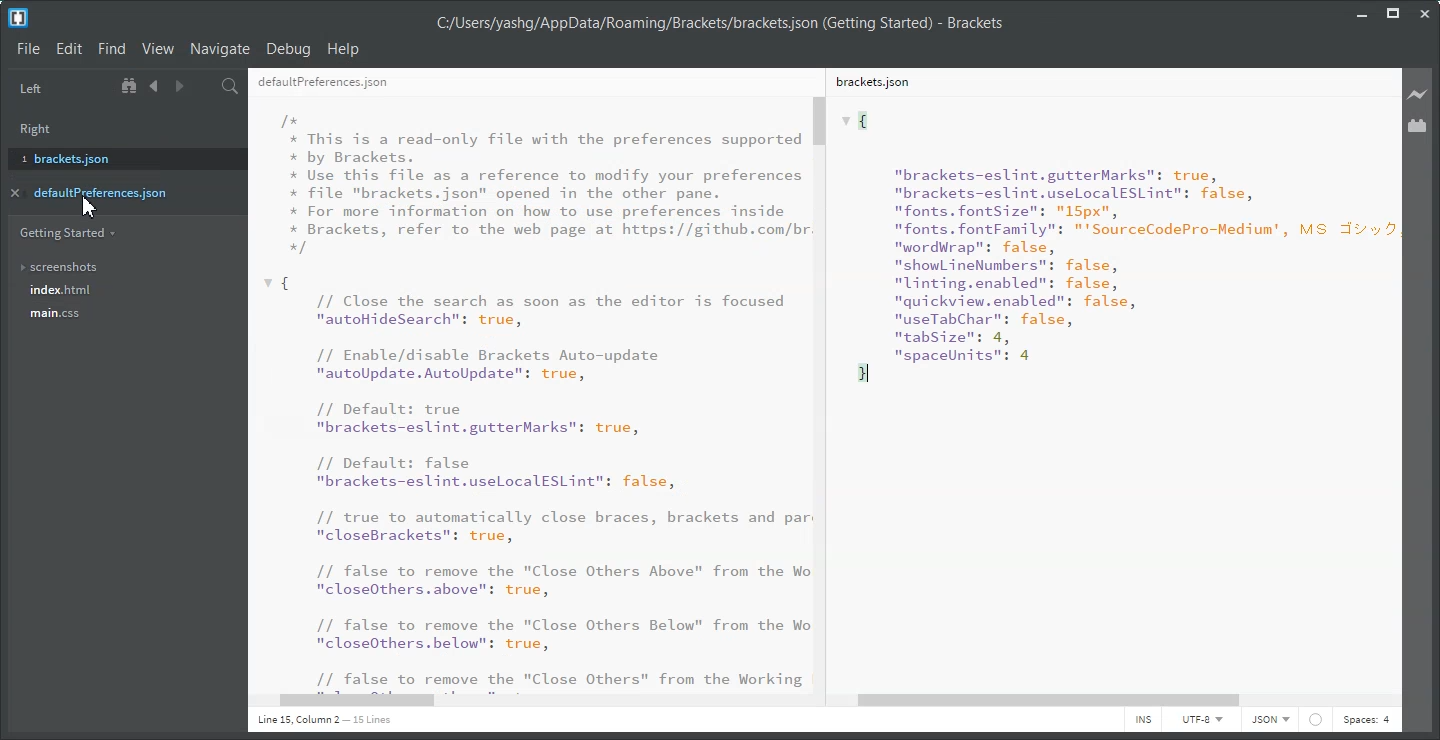 The width and height of the screenshot is (1440, 740). What do you see at coordinates (522, 81) in the screenshot?
I see `defaultpreferences.json File` at bounding box center [522, 81].